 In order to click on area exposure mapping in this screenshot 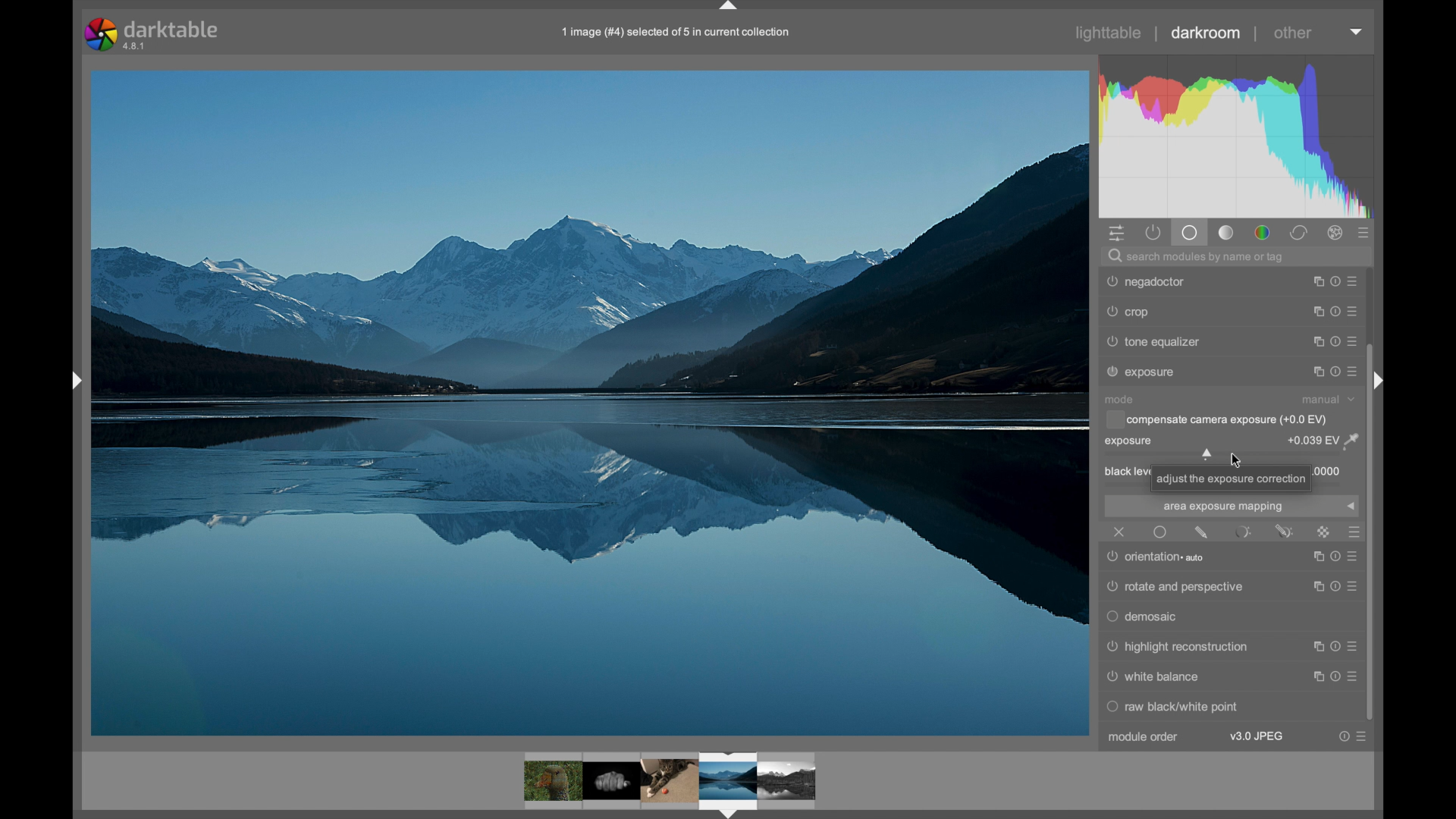, I will do `click(1222, 507)`.